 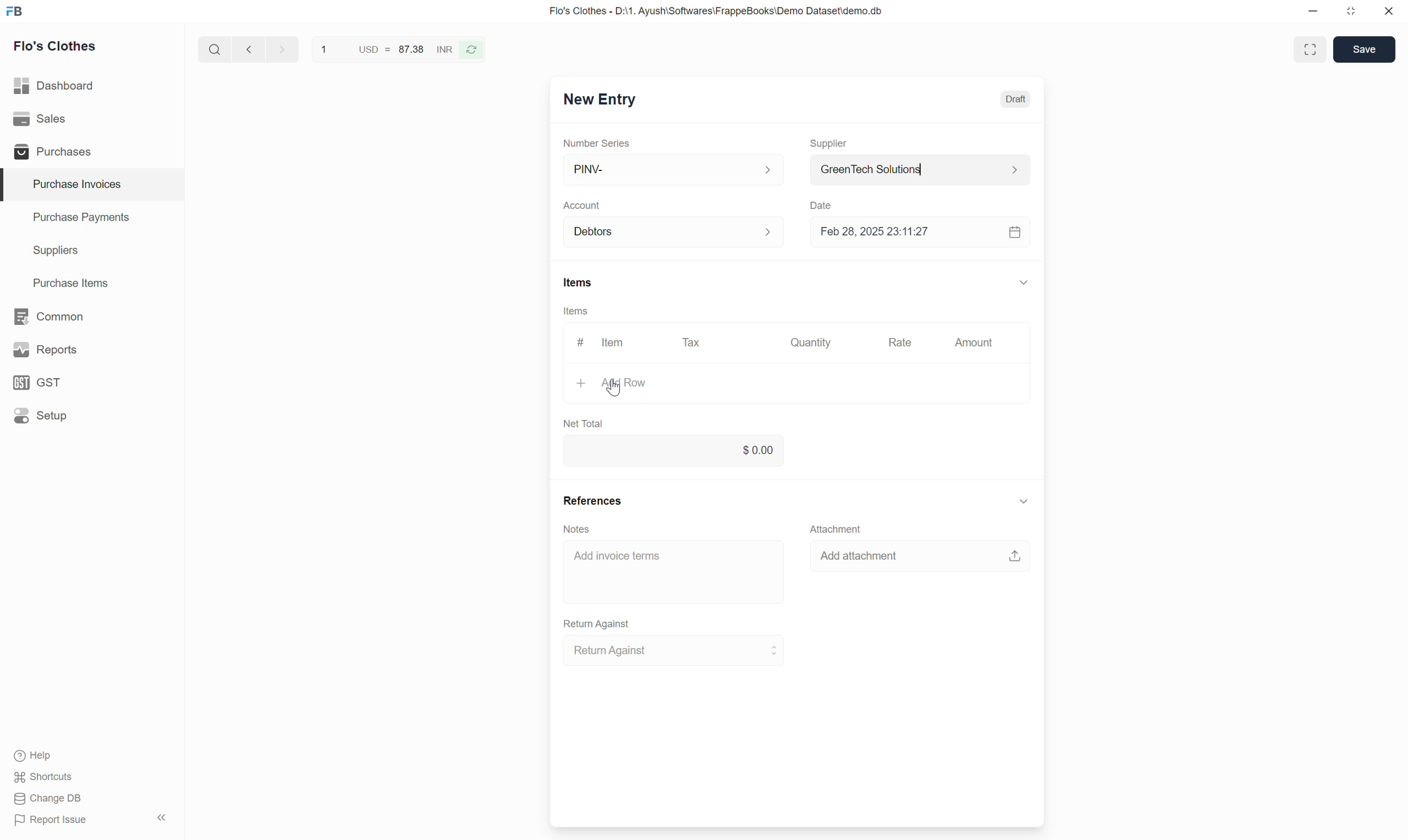 I want to click on GreenTech Solutions, so click(x=920, y=170).